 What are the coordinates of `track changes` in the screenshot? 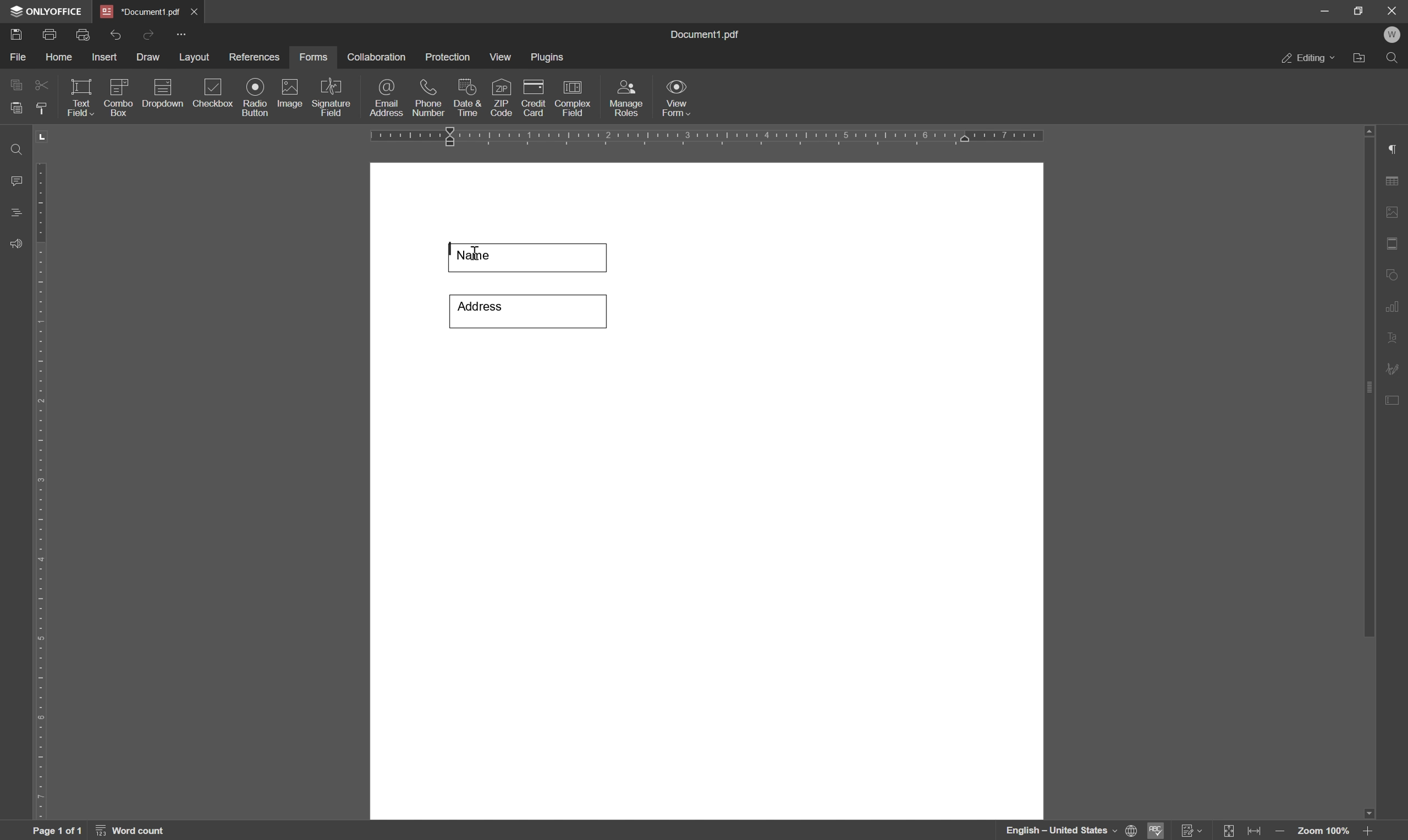 It's located at (1191, 831).